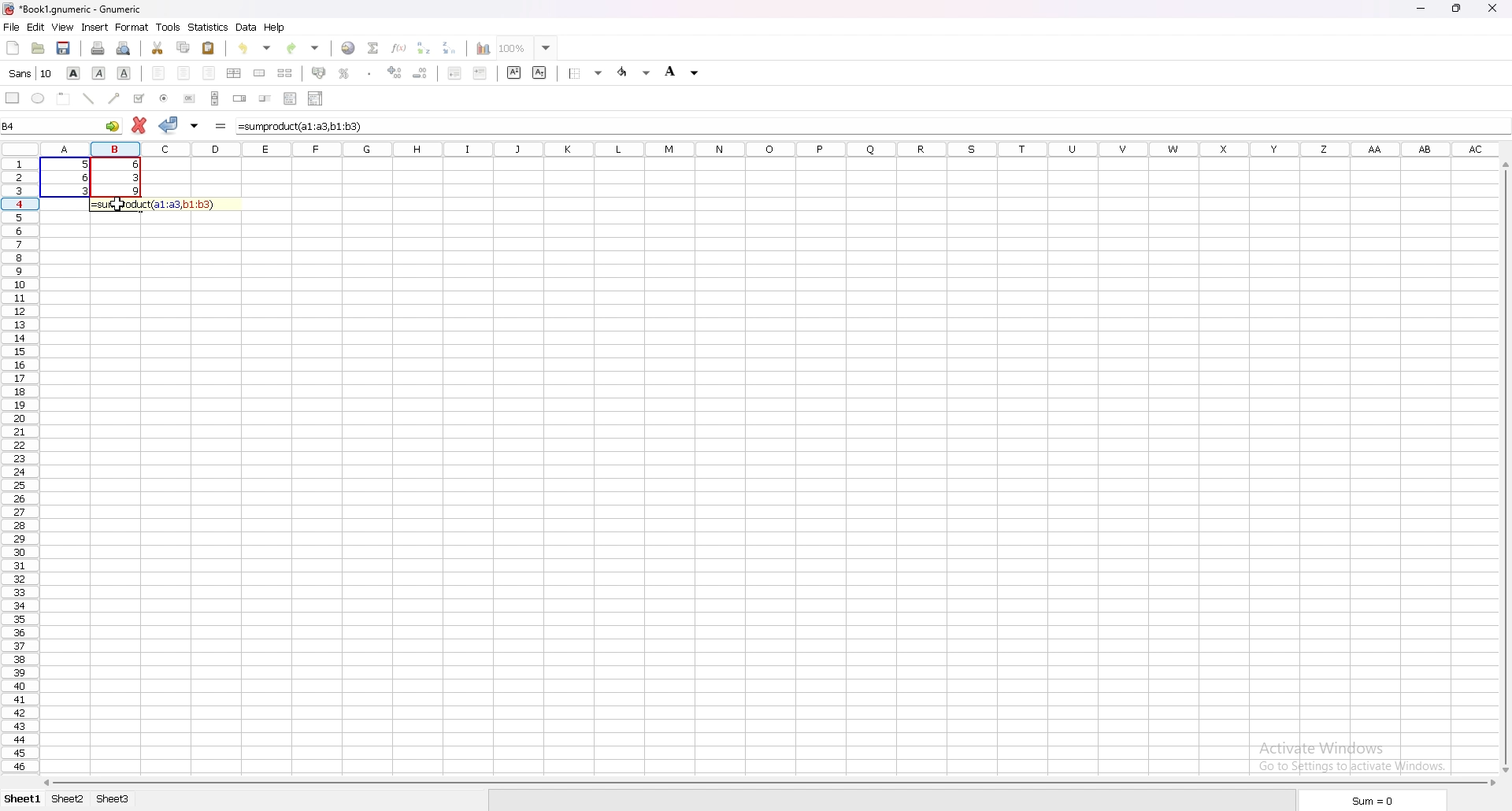 This screenshot has height=811, width=1512. What do you see at coordinates (158, 49) in the screenshot?
I see `cut` at bounding box center [158, 49].